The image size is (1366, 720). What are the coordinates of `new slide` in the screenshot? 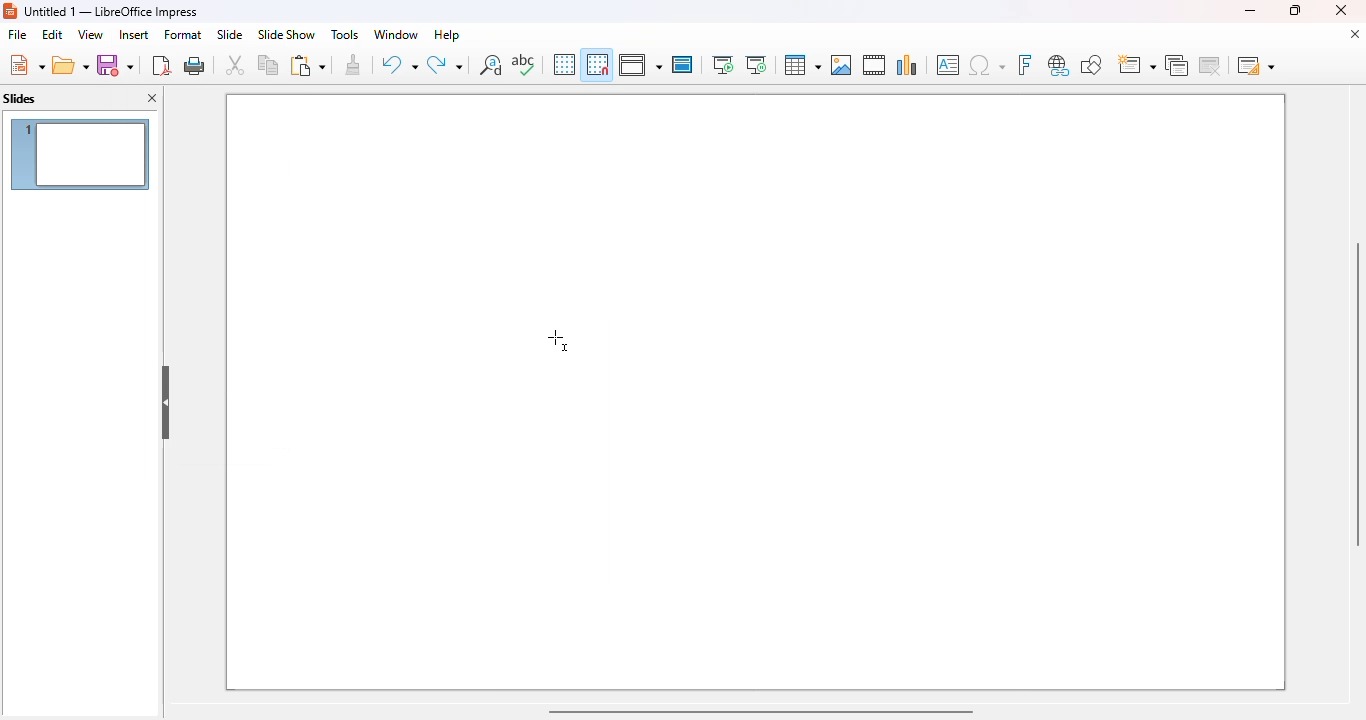 It's located at (1135, 65).